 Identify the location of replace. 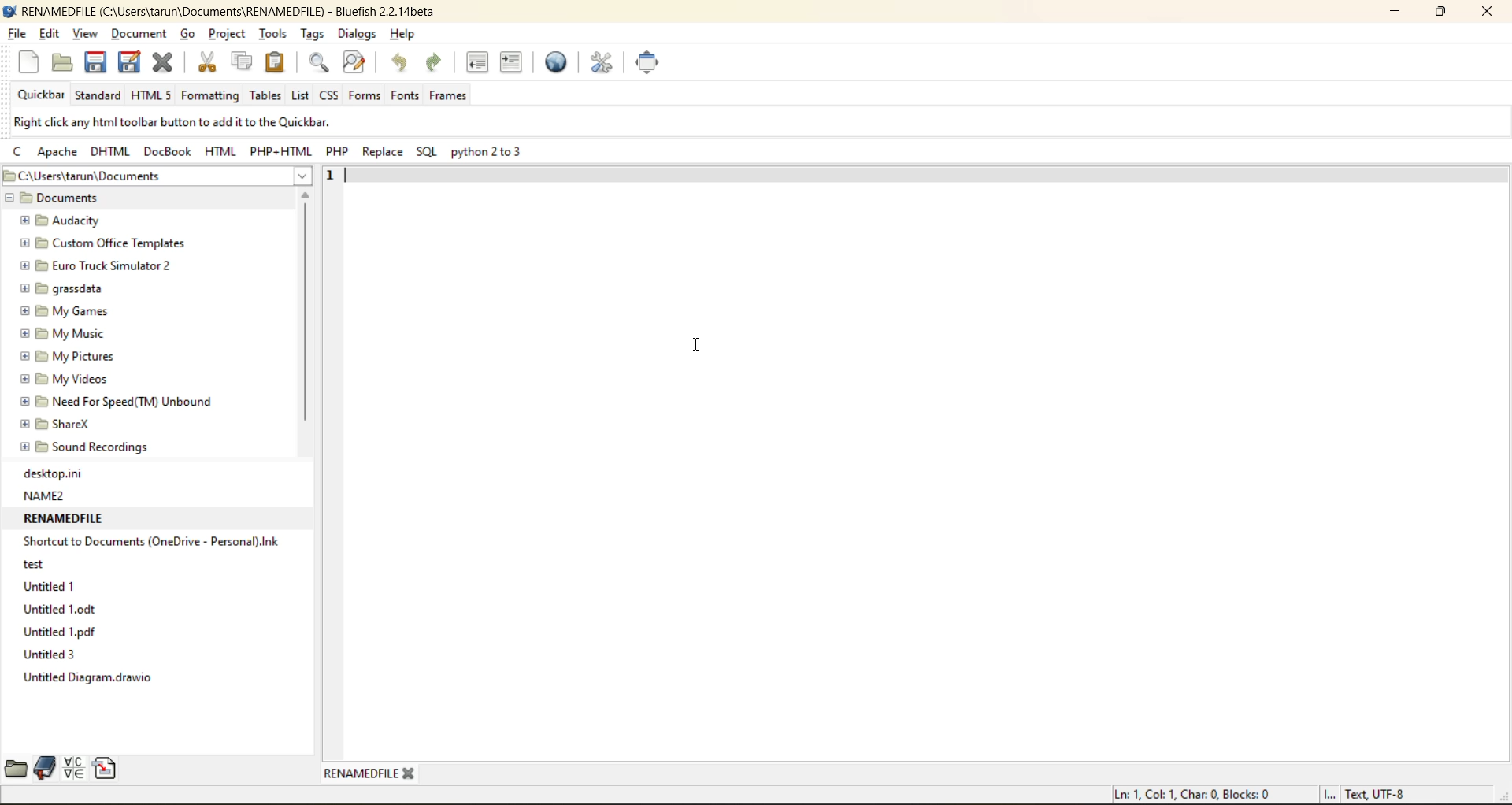
(381, 153).